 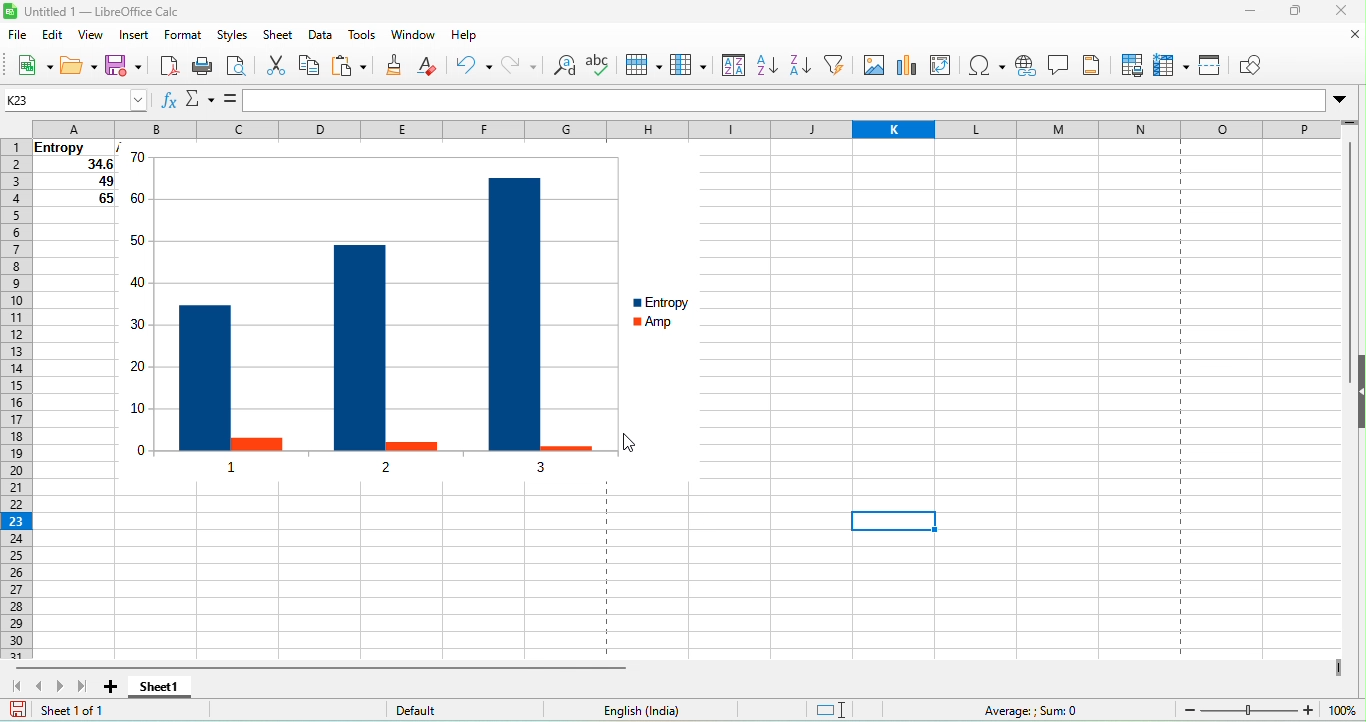 What do you see at coordinates (1299, 10) in the screenshot?
I see `maximize` at bounding box center [1299, 10].